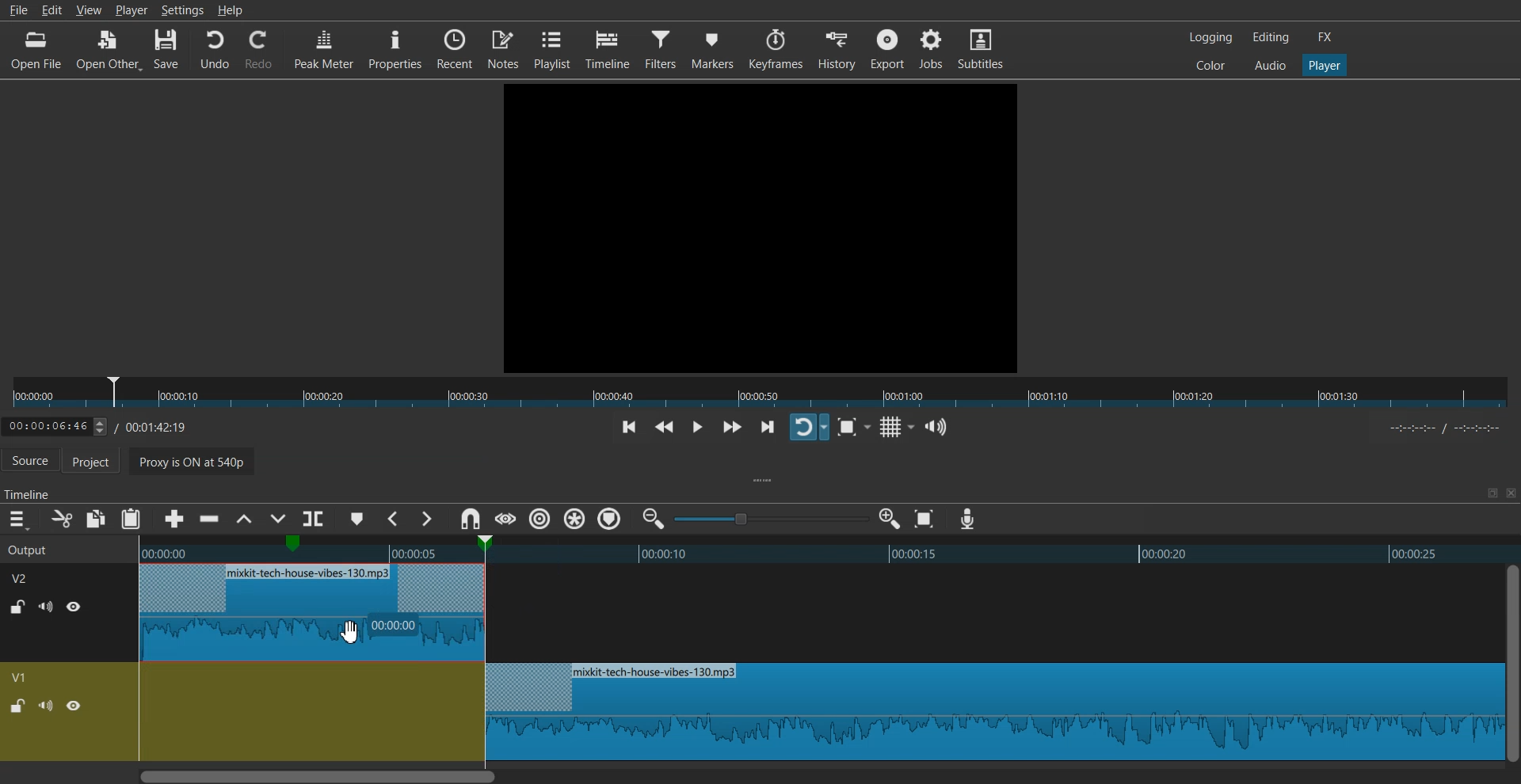 This screenshot has height=784, width=1521. Describe the element at coordinates (215, 50) in the screenshot. I see `Undo` at that location.